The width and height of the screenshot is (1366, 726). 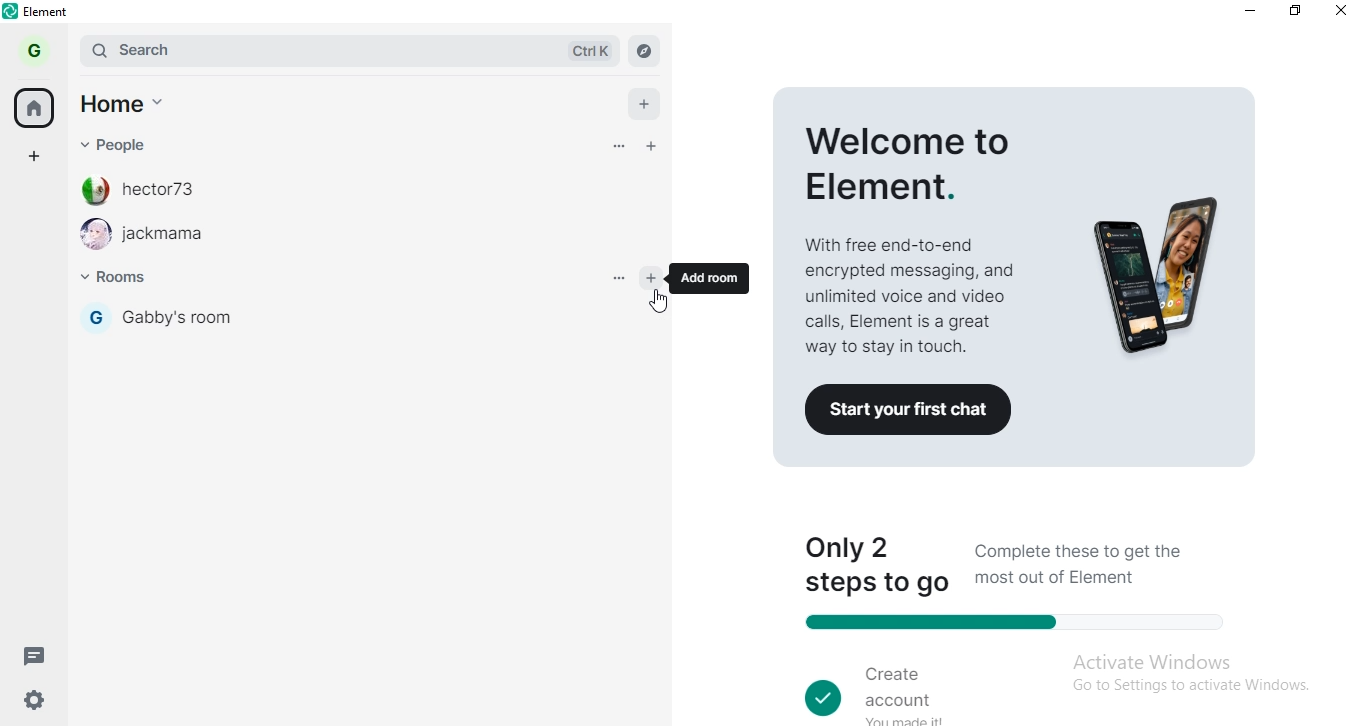 What do you see at coordinates (1344, 11) in the screenshot?
I see `close` at bounding box center [1344, 11].